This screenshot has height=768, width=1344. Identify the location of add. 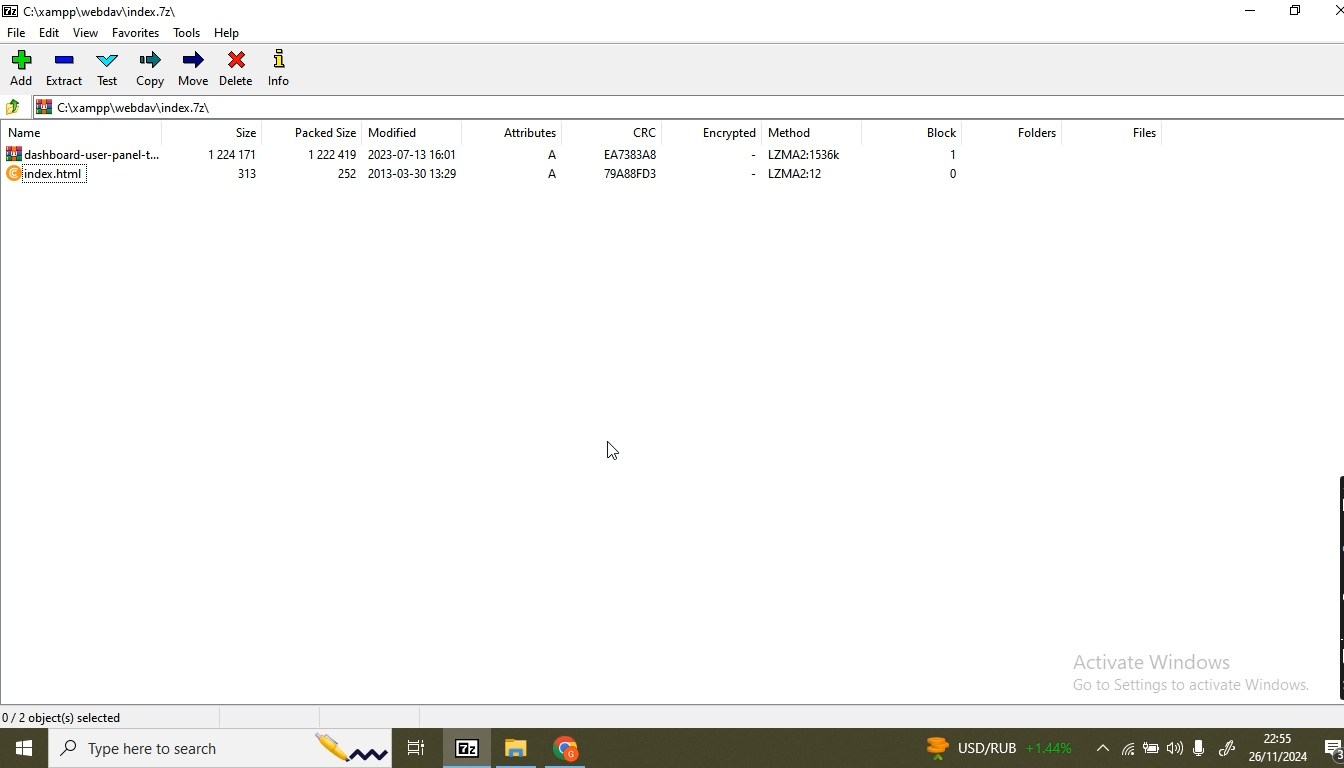
(21, 69).